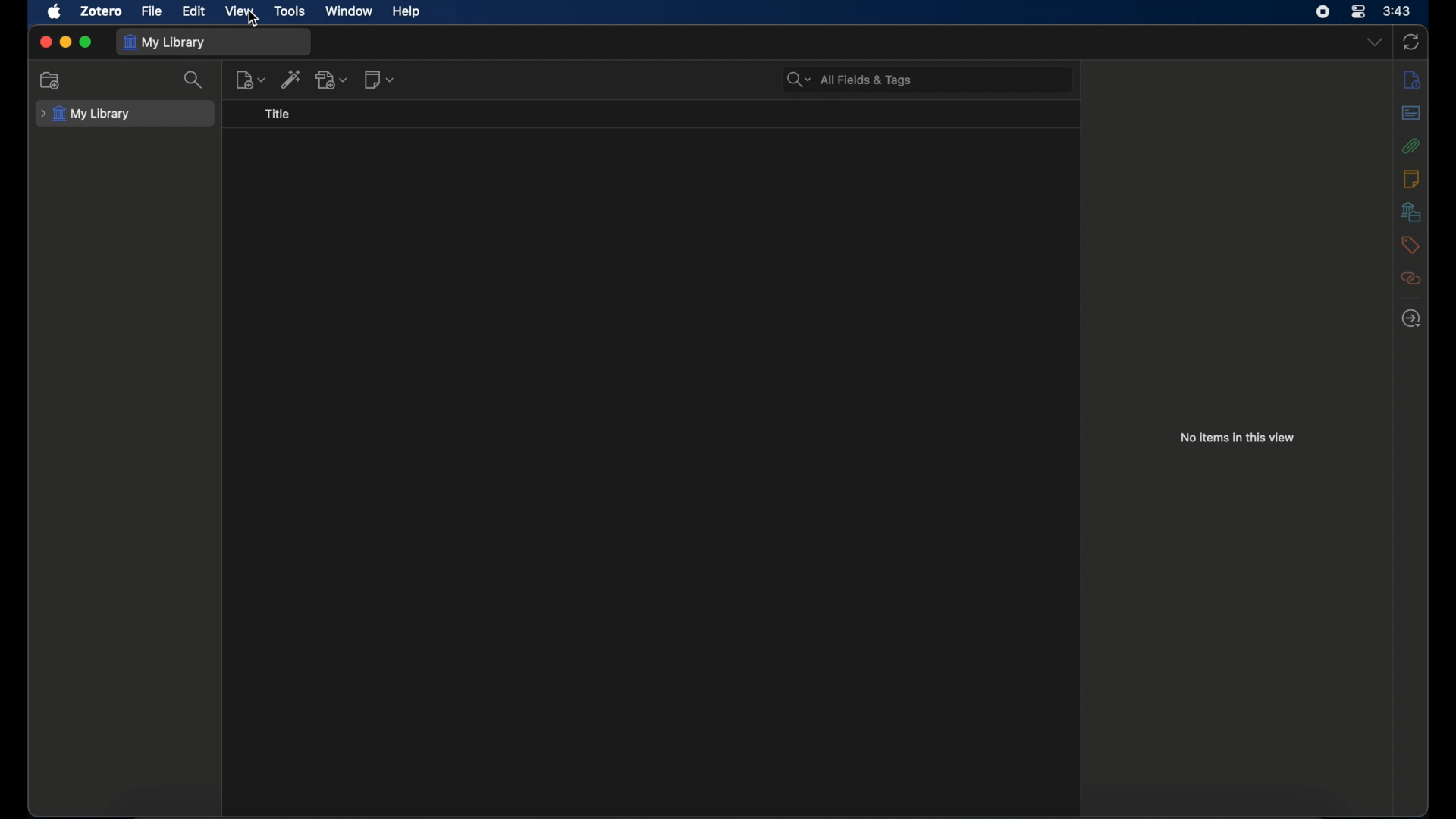 The image size is (1456, 819). I want to click on window, so click(347, 11).